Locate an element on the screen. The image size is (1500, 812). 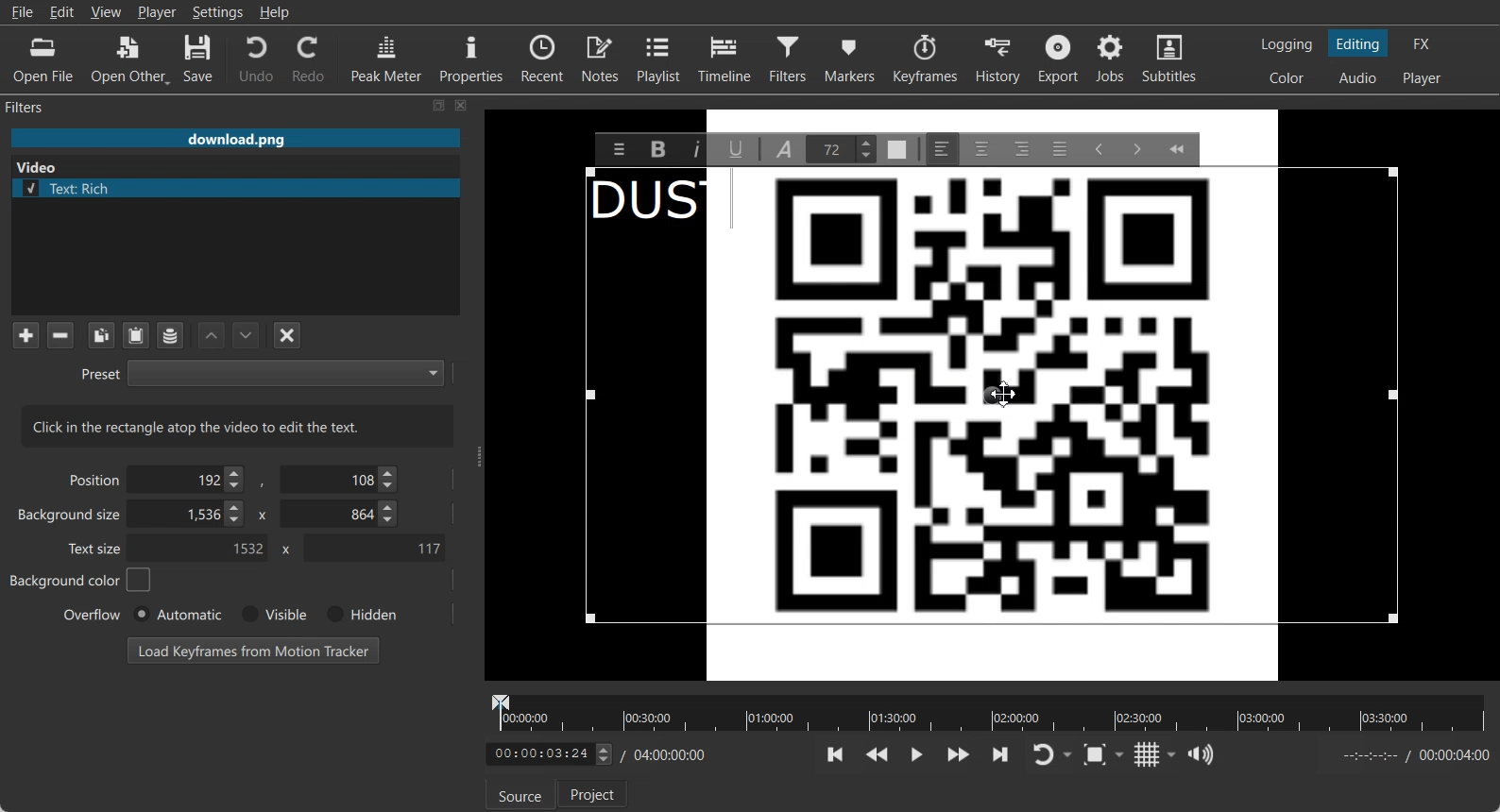
Source is located at coordinates (517, 795).